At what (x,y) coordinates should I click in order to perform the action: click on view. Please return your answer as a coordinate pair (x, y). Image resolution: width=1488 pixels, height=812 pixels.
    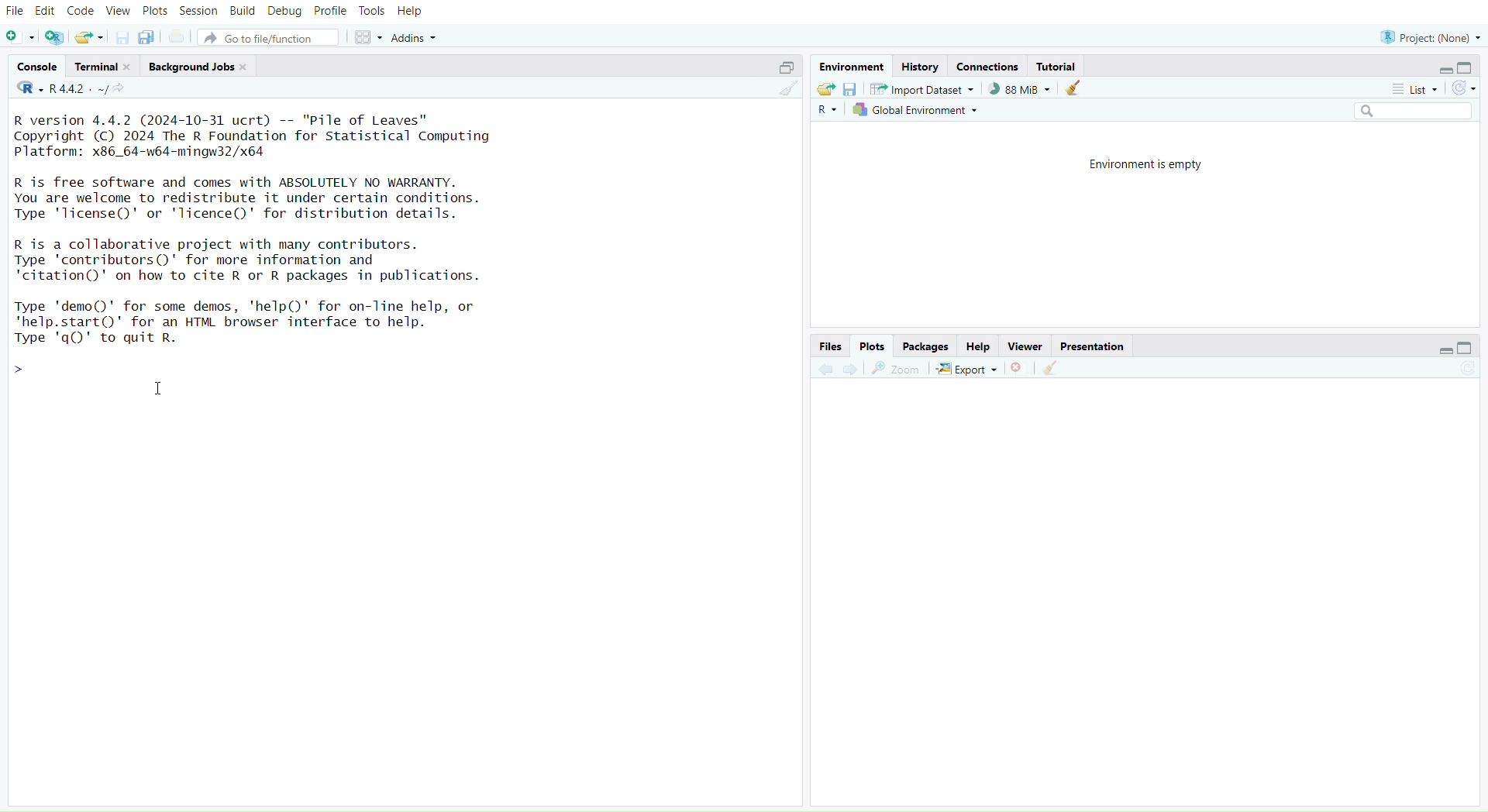
    Looking at the image, I should click on (119, 12).